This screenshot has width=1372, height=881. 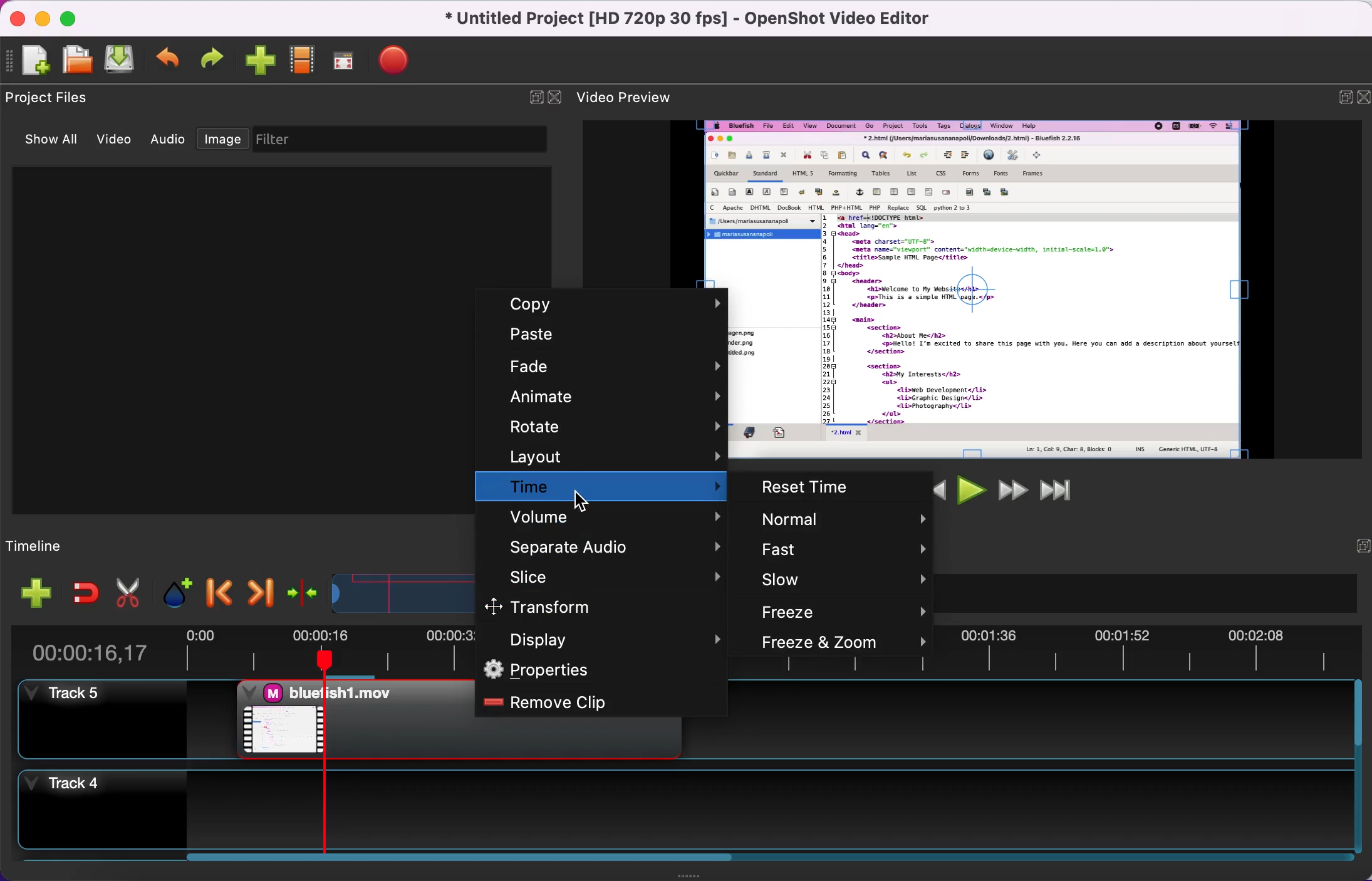 What do you see at coordinates (846, 610) in the screenshot?
I see `freeze` at bounding box center [846, 610].